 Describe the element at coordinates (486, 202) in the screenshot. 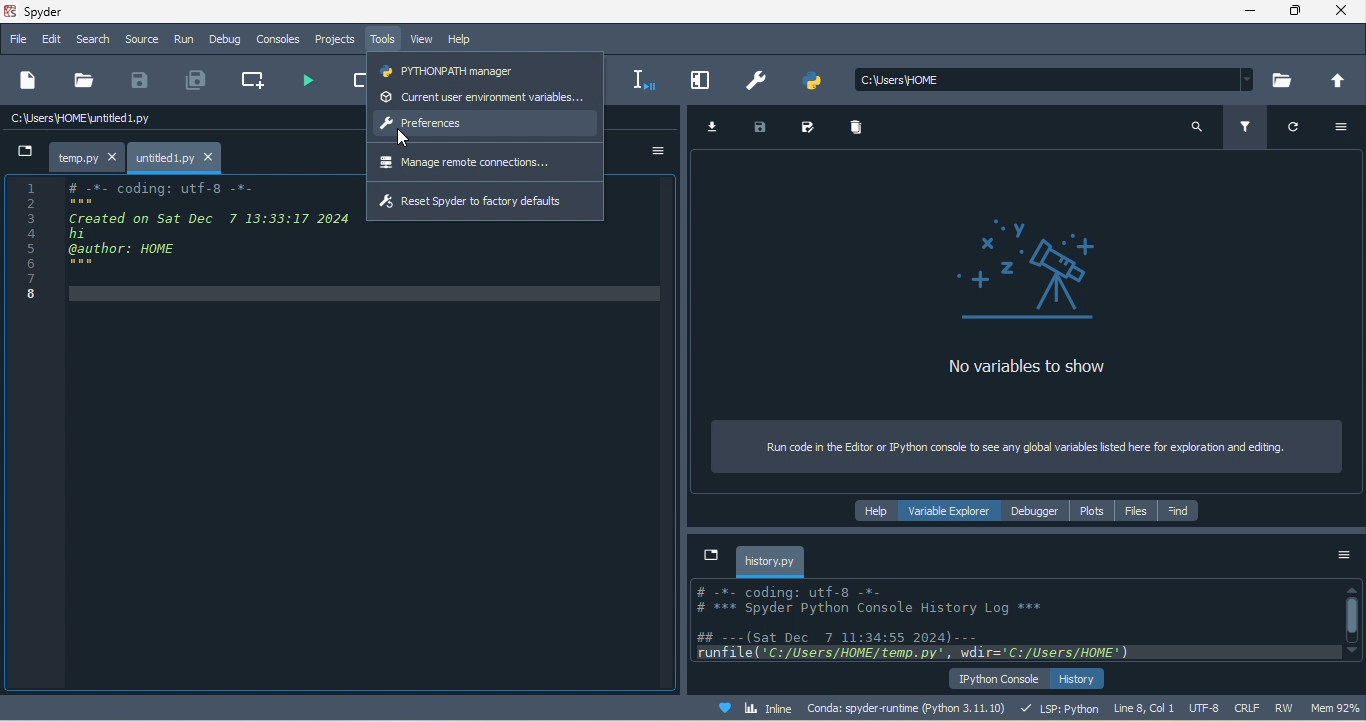

I see `reset spyder to factory defaults` at that location.